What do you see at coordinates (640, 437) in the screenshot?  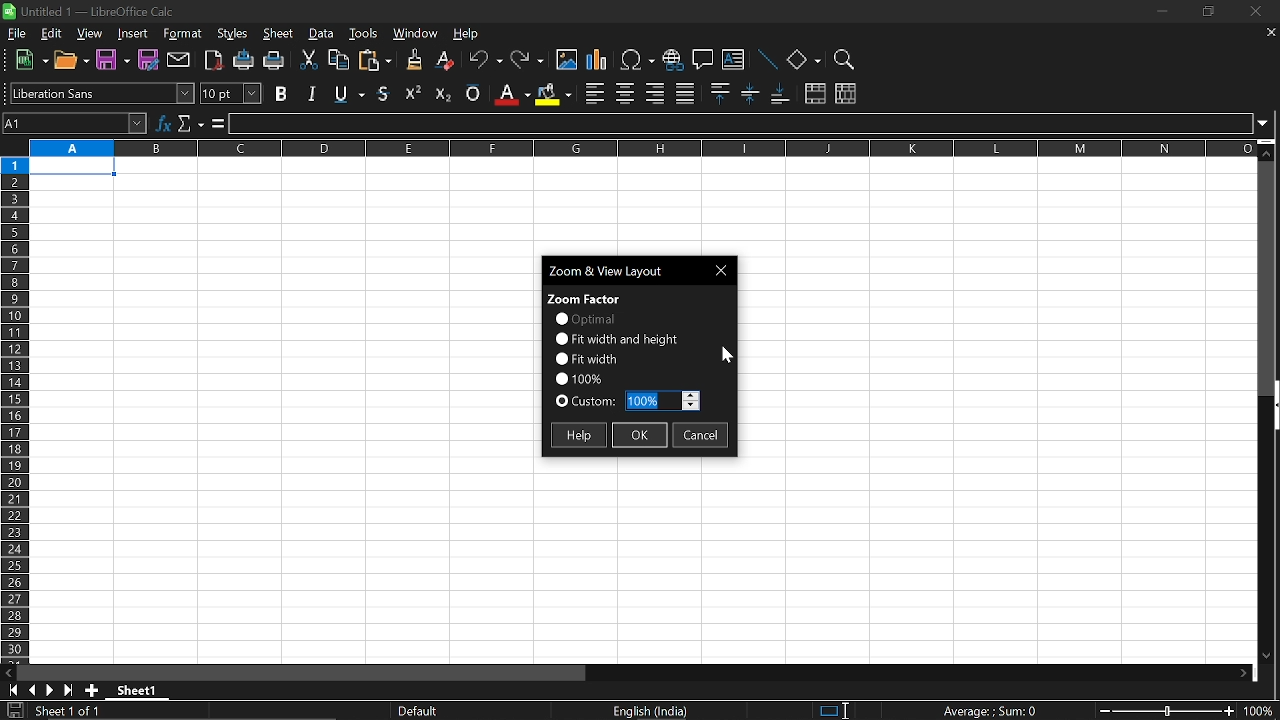 I see `ok` at bounding box center [640, 437].